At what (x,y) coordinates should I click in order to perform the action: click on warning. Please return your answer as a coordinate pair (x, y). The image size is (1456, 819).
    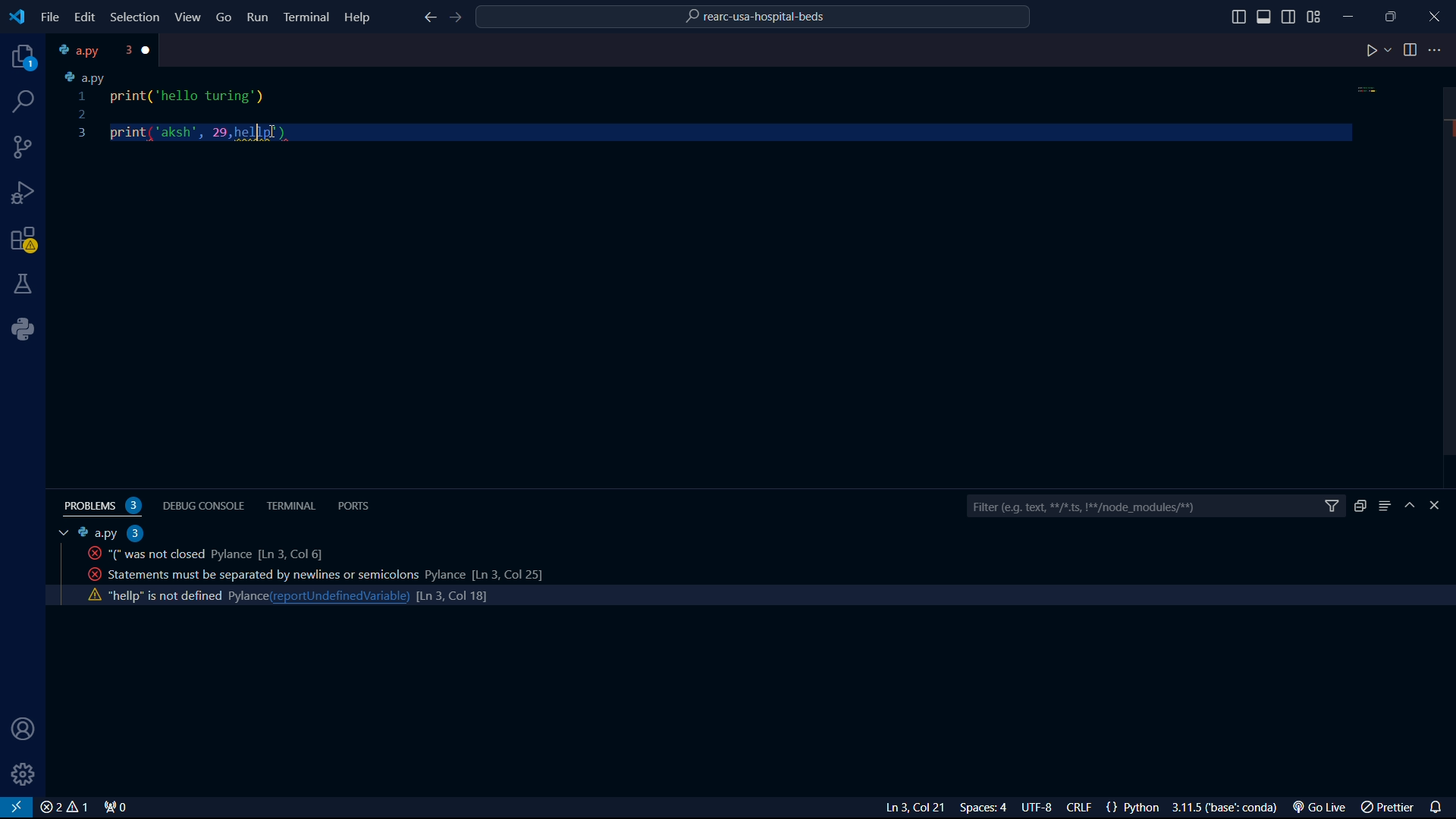
    Looking at the image, I should click on (24, 242).